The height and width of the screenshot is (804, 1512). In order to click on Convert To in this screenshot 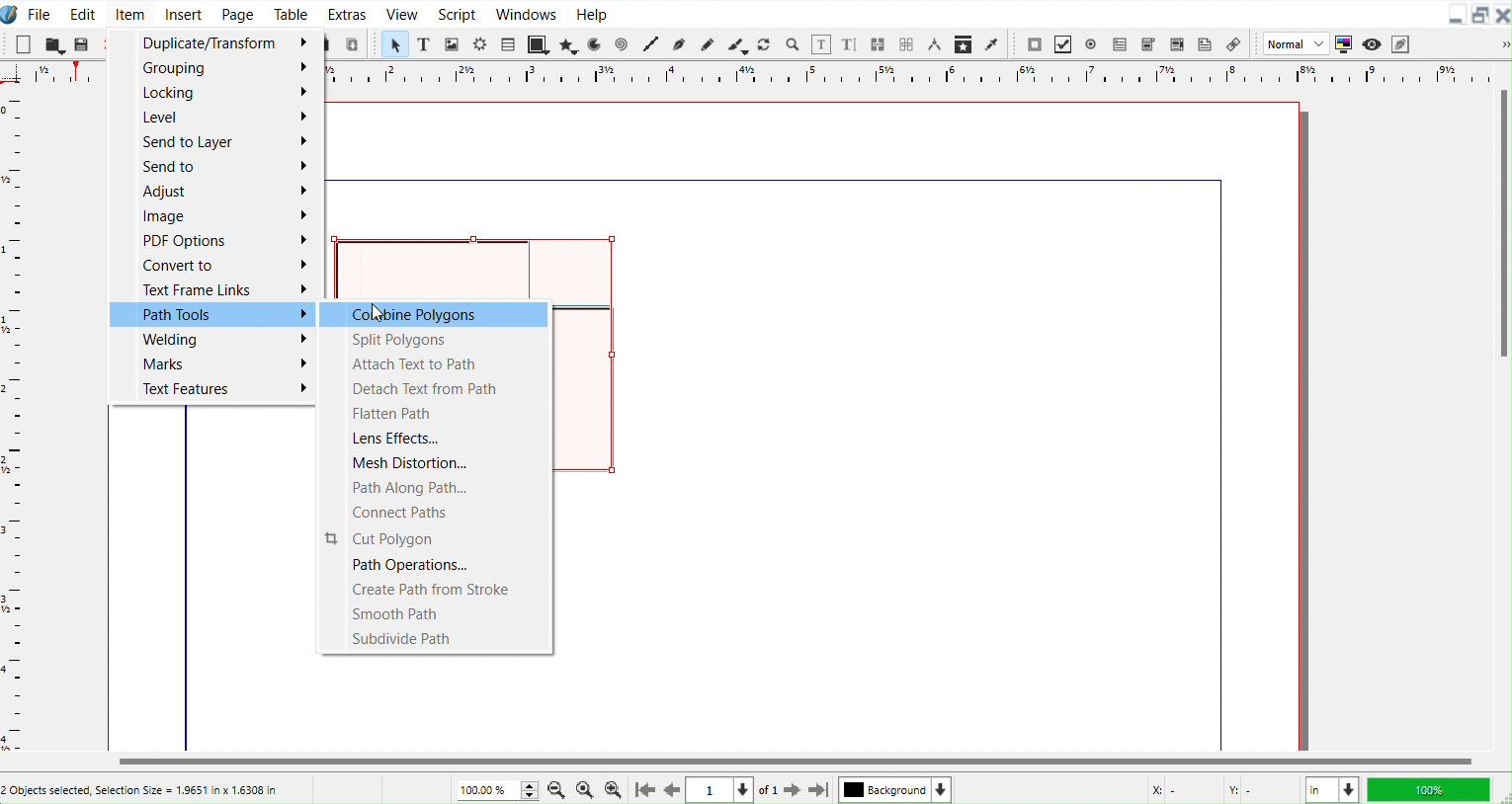, I will do `click(213, 264)`.